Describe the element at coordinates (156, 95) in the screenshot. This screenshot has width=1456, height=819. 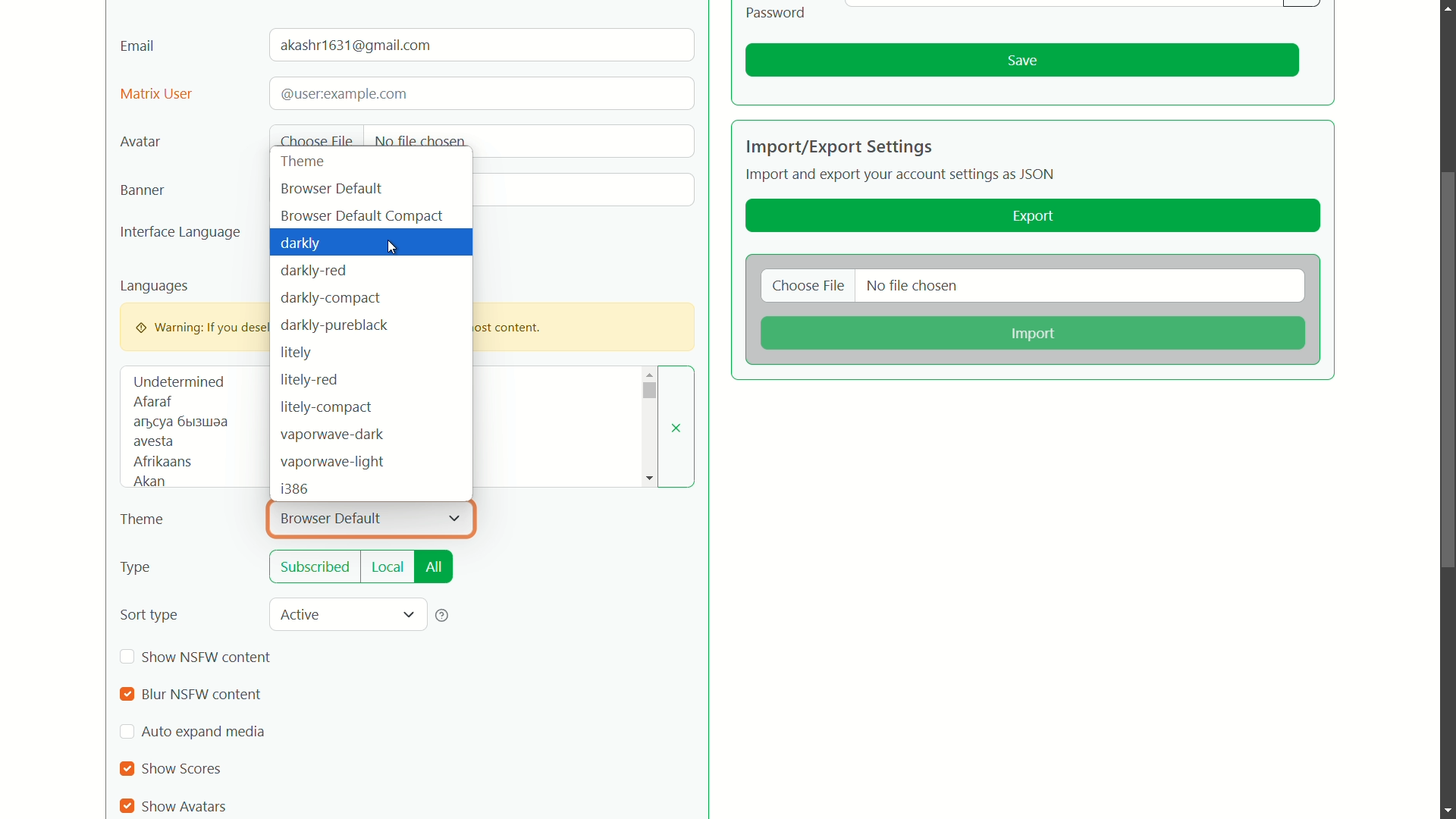
I see `matrix user` at that location.